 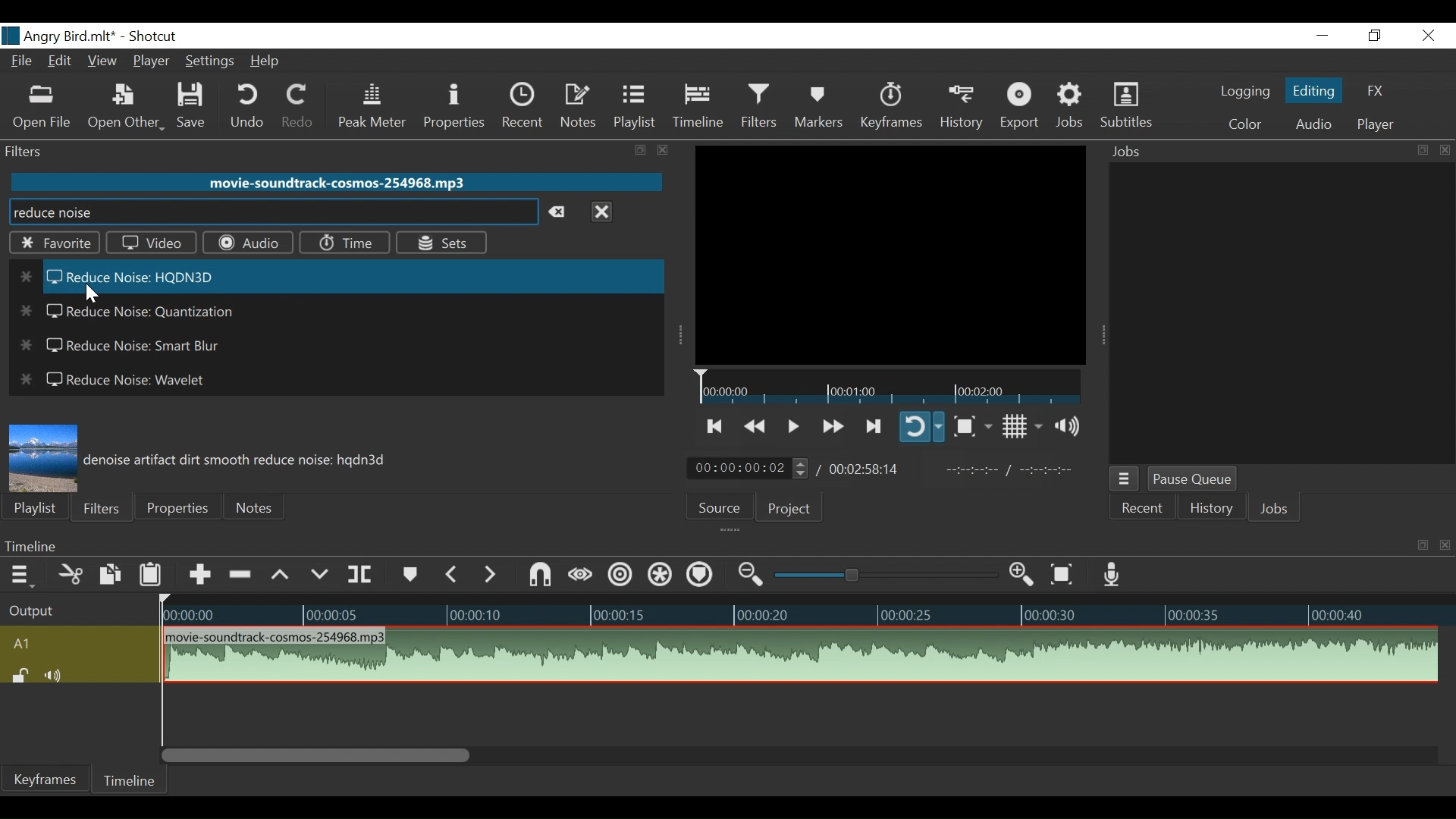 I want to click on minimize, so click(x=1320, y=36).